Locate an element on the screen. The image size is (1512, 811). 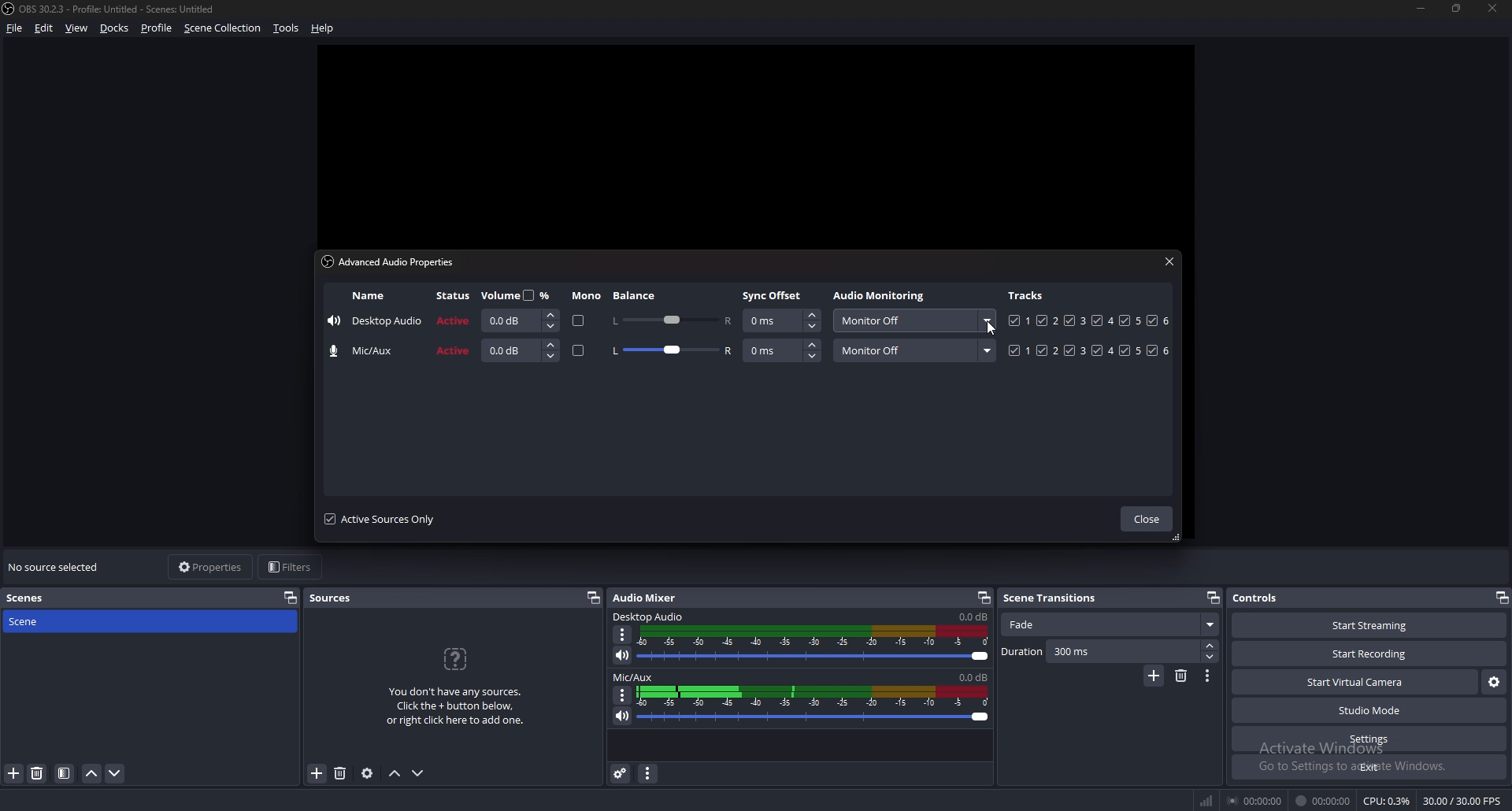
filters is located at coordinates (293, 567).